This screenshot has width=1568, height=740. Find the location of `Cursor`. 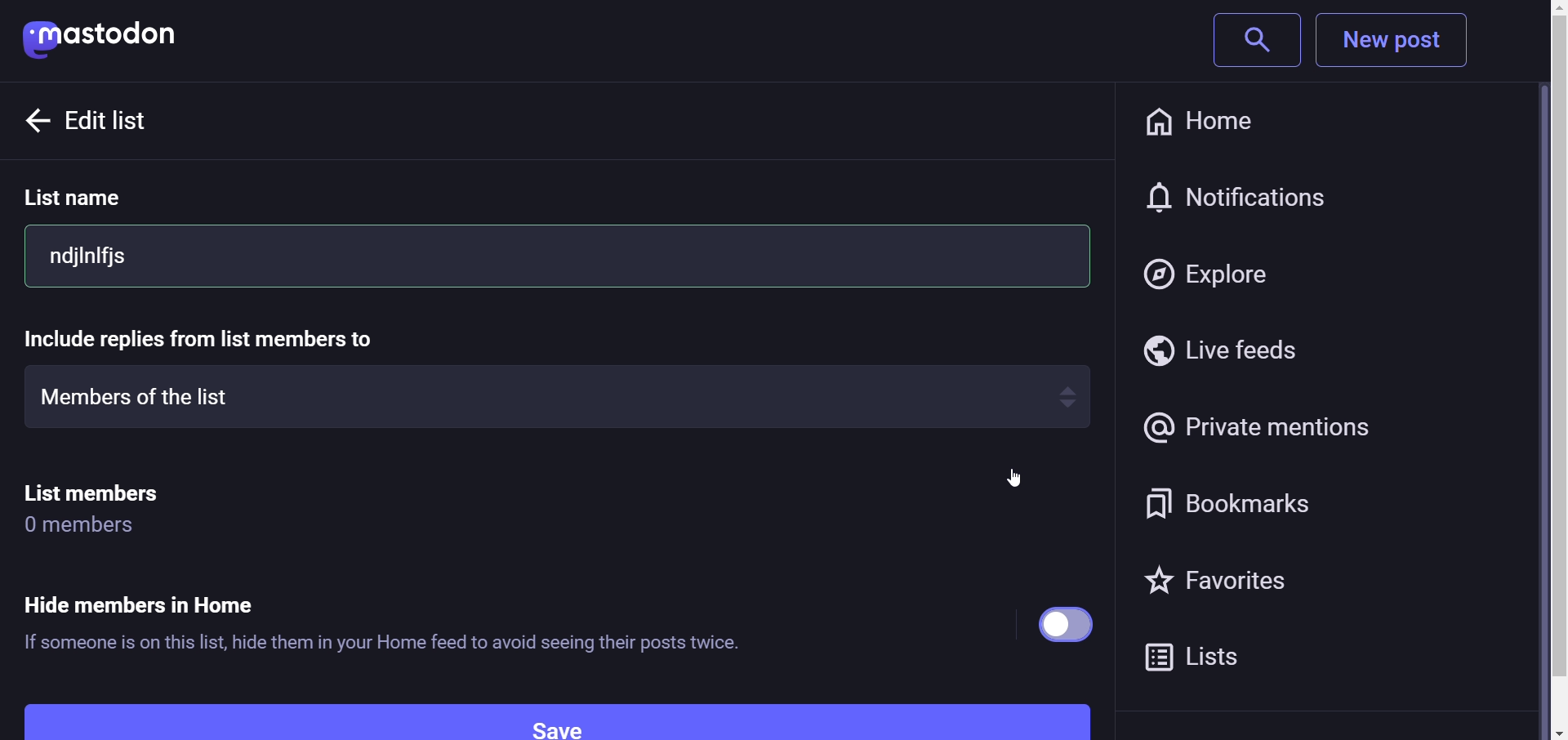

Cursor is located at coordinates (1010, 484).